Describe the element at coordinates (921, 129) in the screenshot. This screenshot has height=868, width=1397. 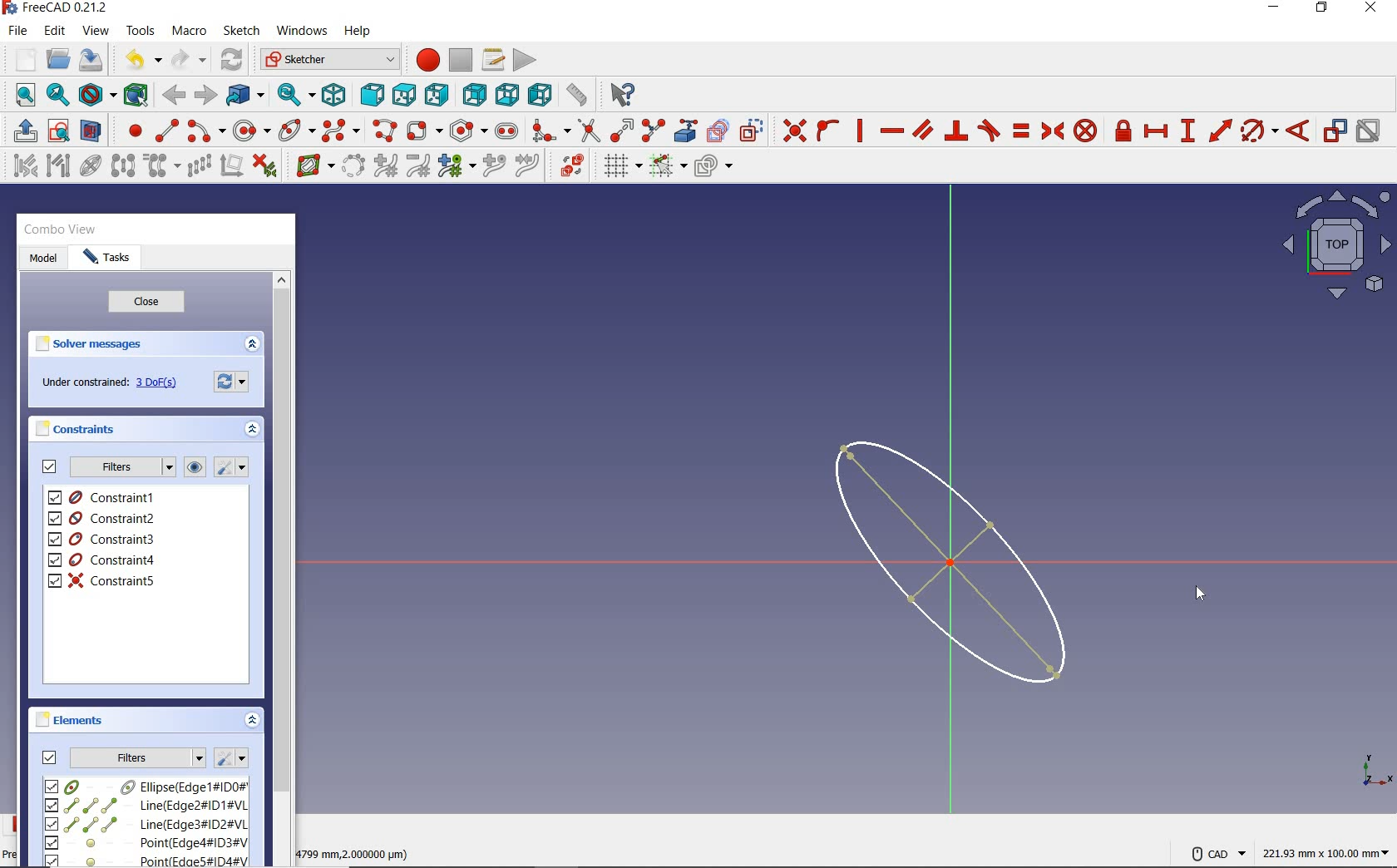
I see `constrain parallel` at that location.